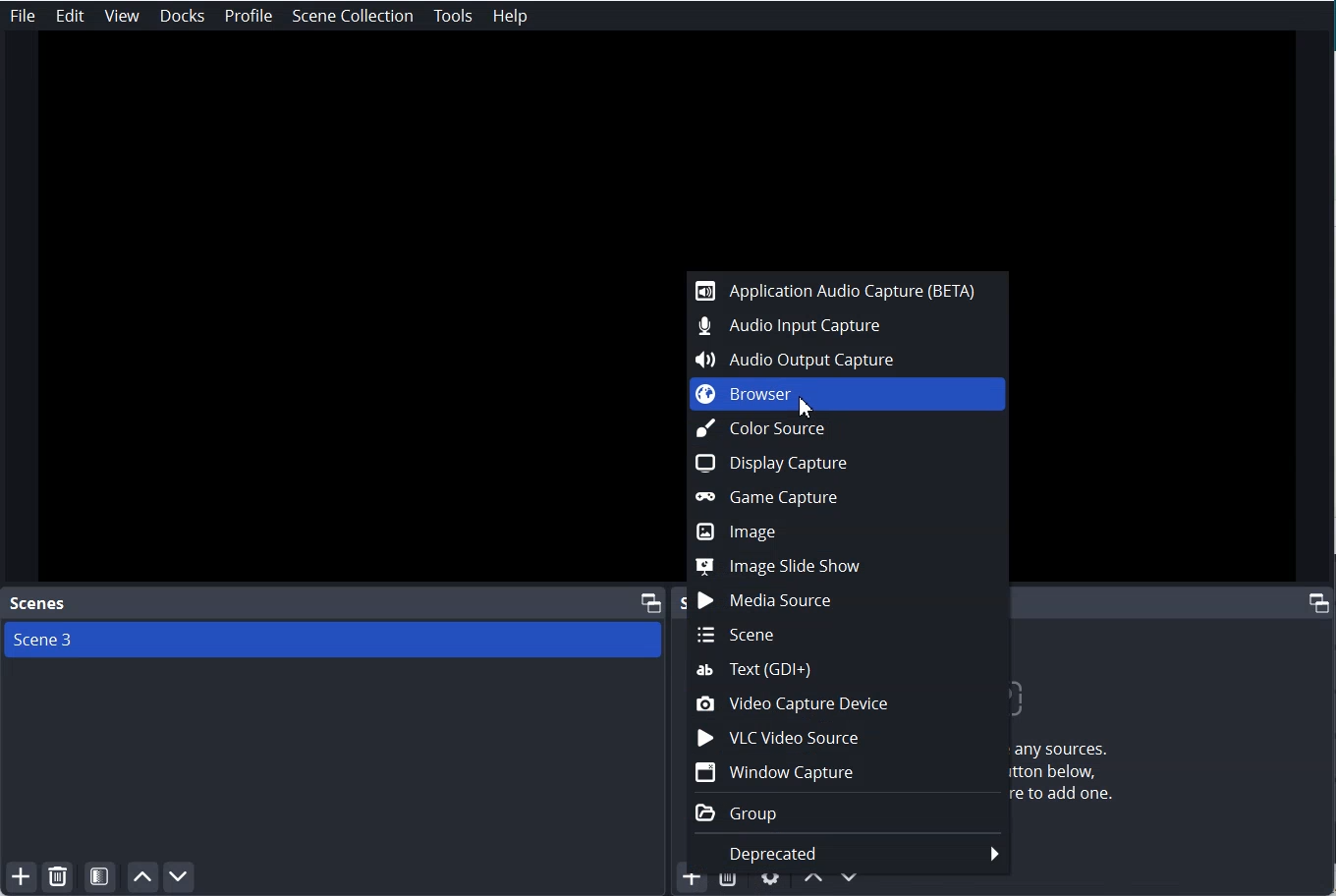  I want to click on Edit, so click(71, 16).